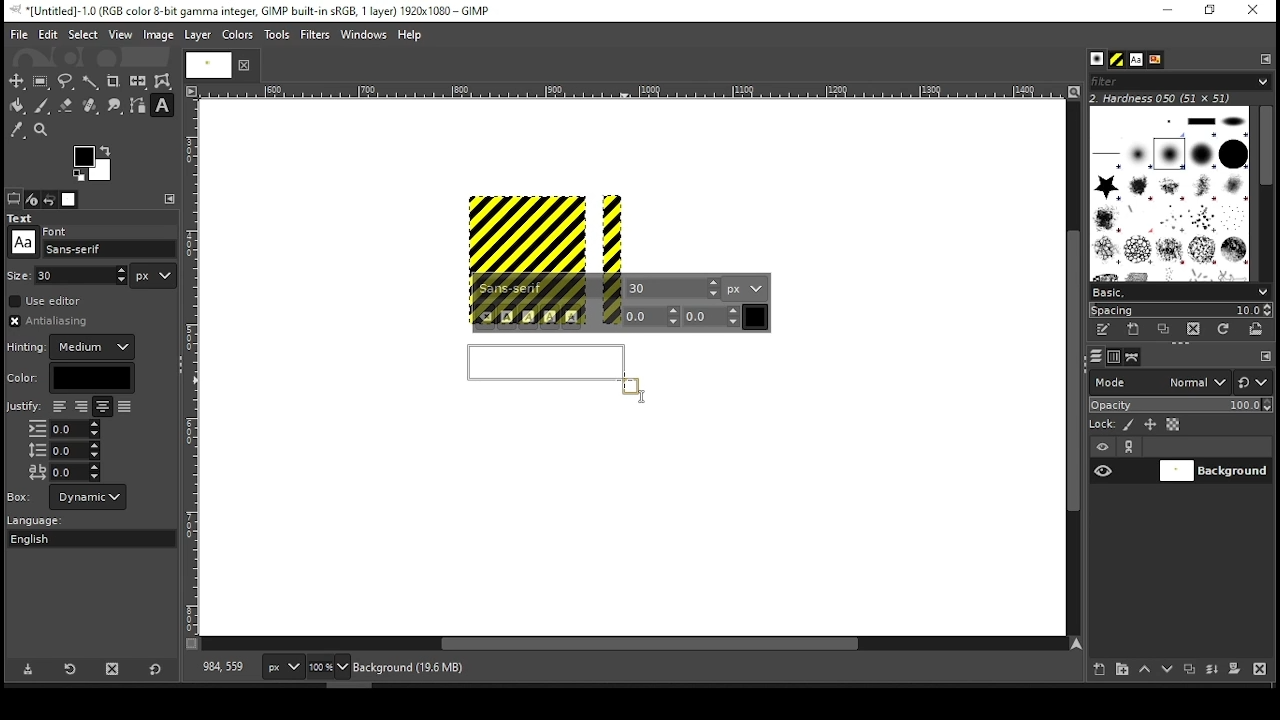 The width and height of the screenshot is (1280, 720). What do you see at coordinates (92, 107) in the screenshot?
I see `heal tool` at bounding box center [92, 107].